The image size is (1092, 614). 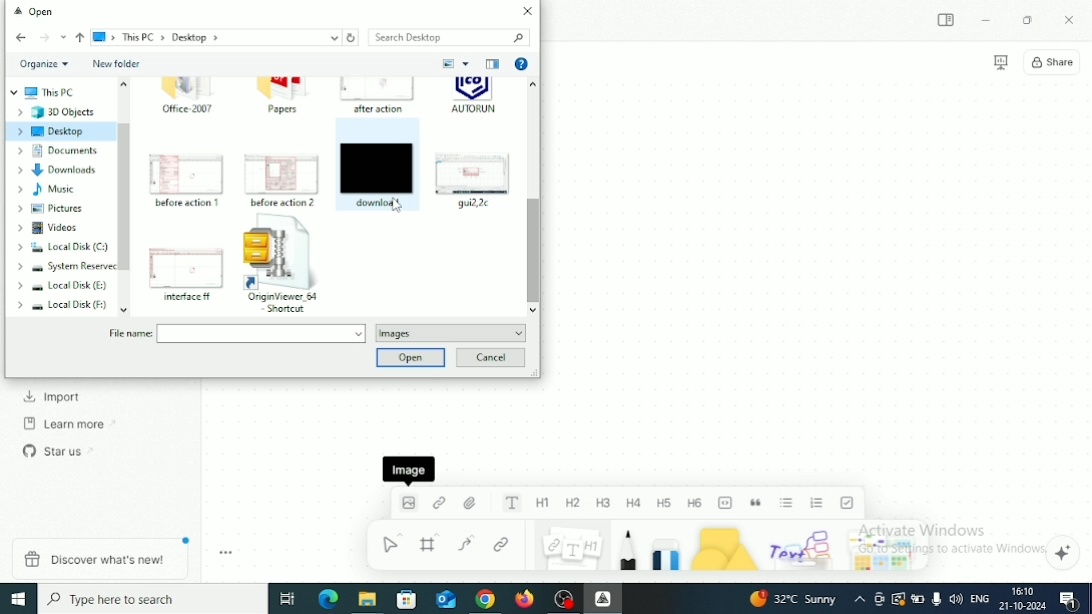 What do you see at coordinates (512, 503) in the screenshot?
I see `Text` at bounding box center [512, 503].